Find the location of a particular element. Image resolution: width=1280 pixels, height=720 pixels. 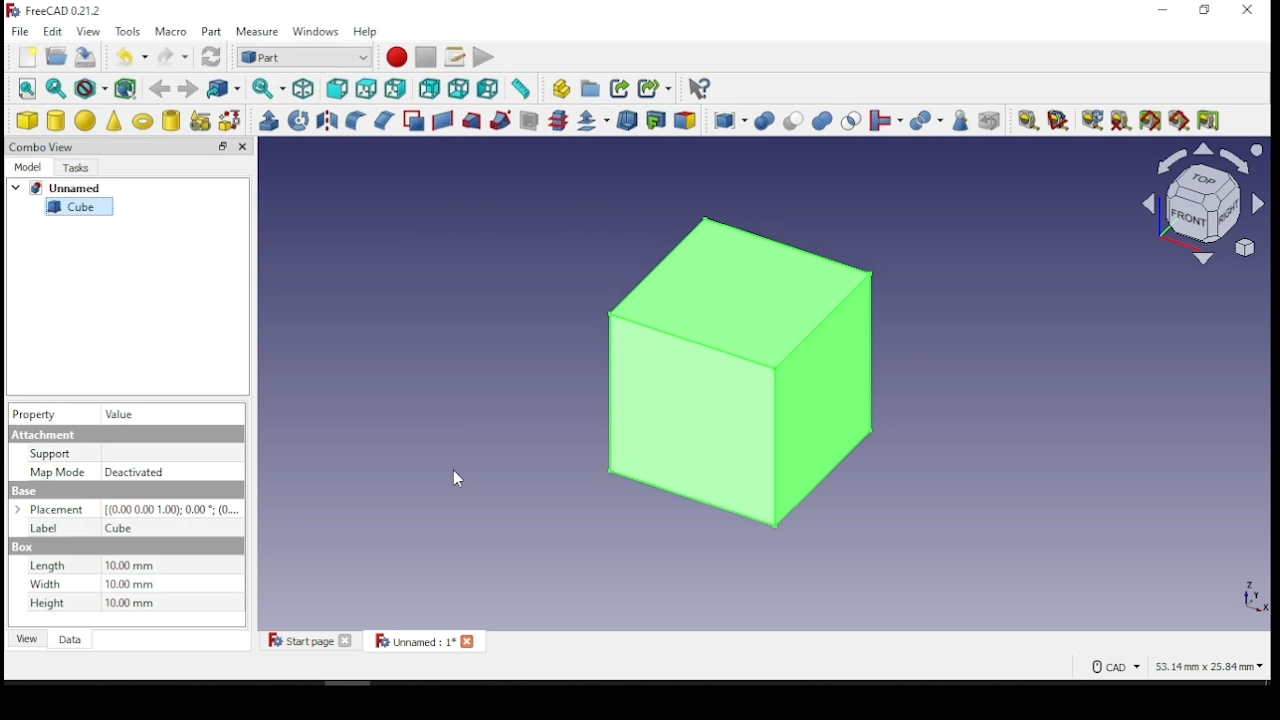

redo is located at coordinates (173, 56).